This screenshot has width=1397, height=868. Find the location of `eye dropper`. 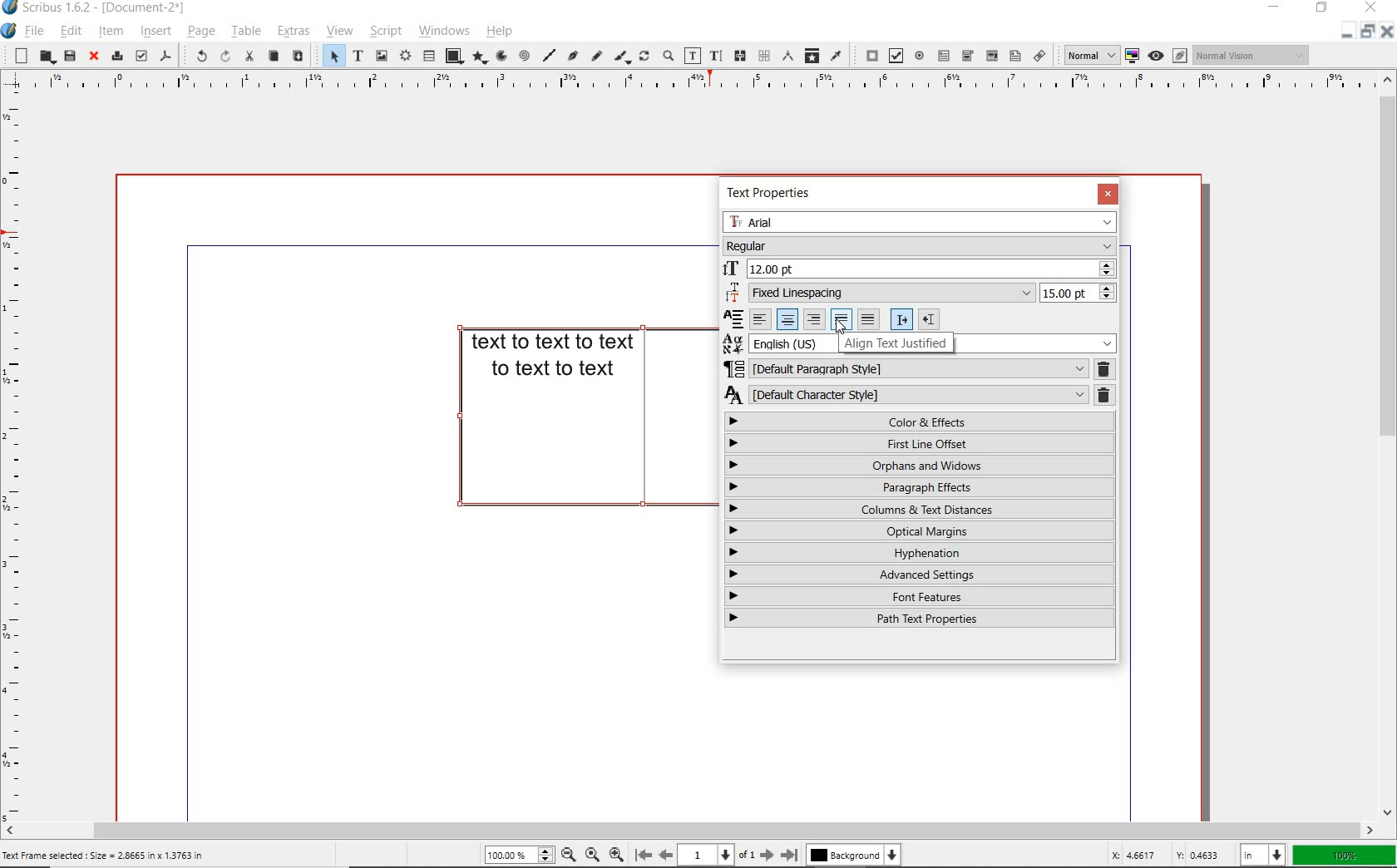

eye dropper is located at coordinates (837, 56).